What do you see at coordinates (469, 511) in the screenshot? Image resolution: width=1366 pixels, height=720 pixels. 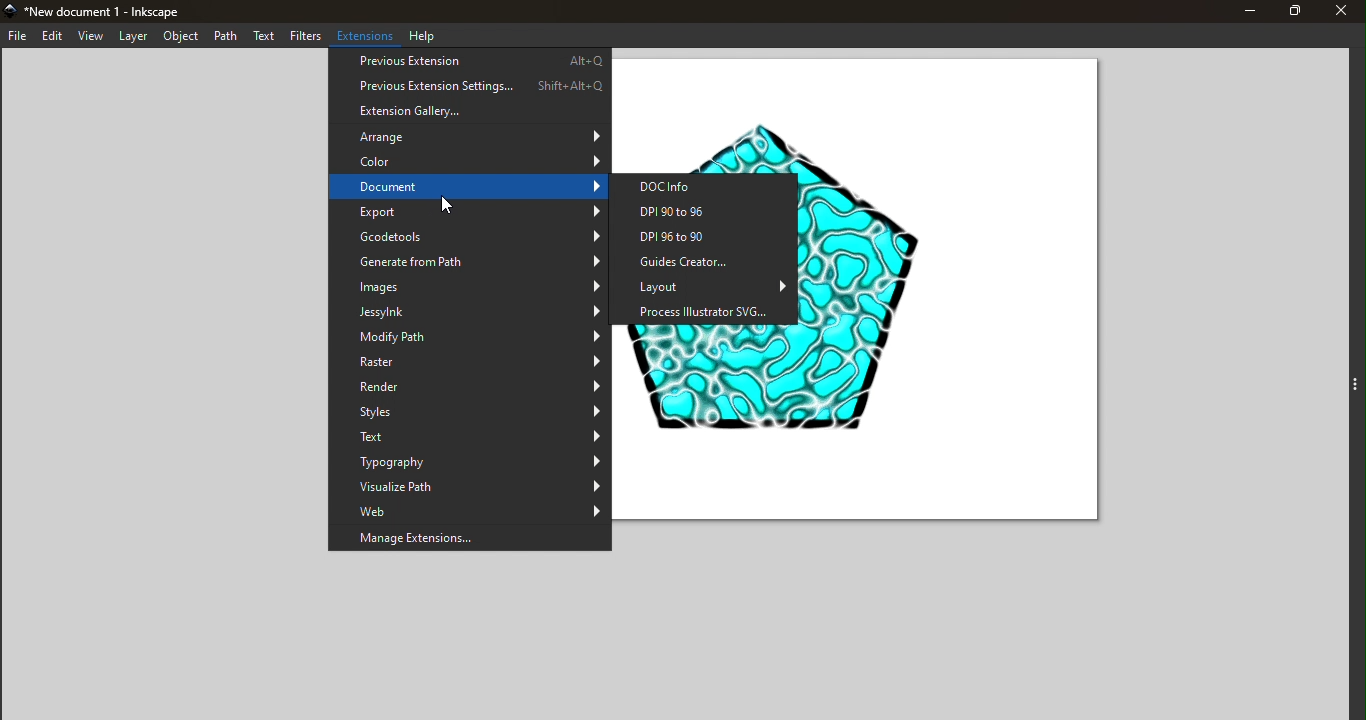 I see `Web` at bounding box center [469, 511].